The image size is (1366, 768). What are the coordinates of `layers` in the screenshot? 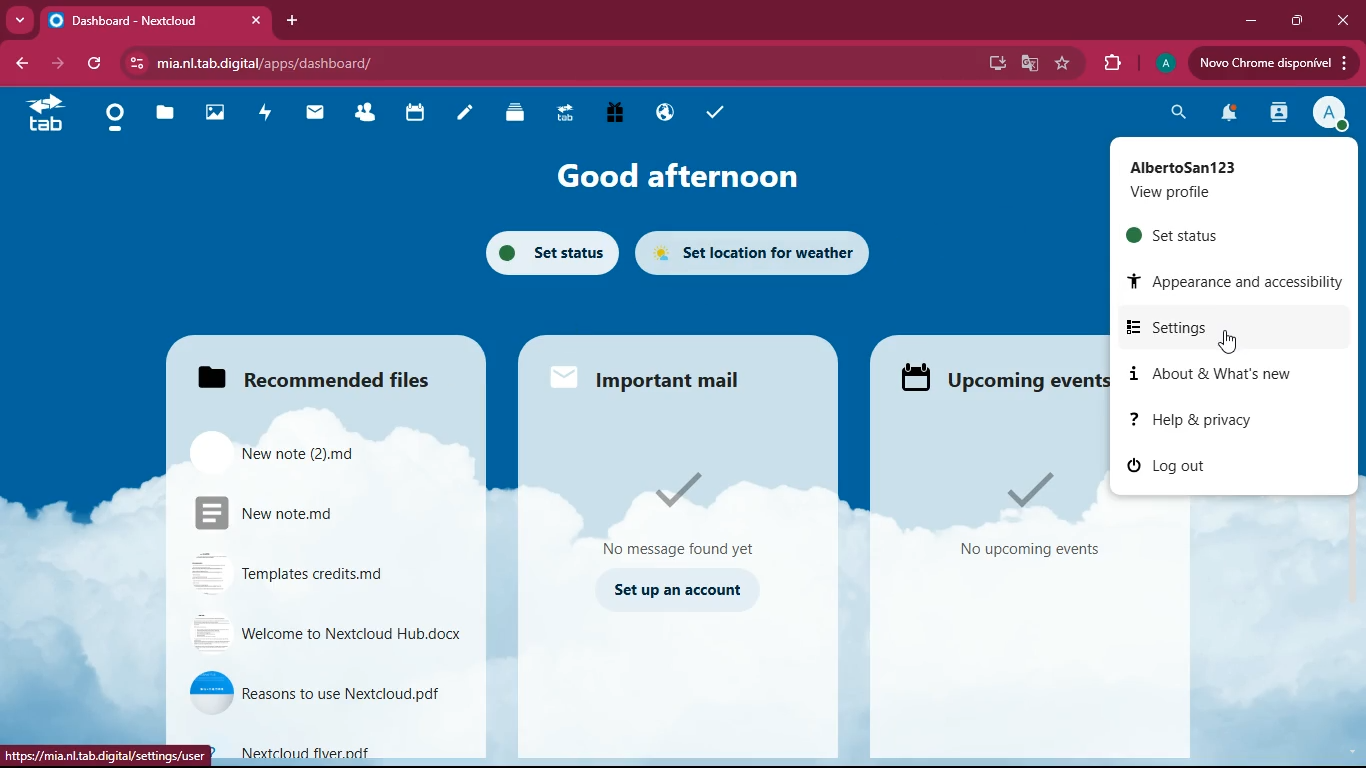 It's located at (510, 115).